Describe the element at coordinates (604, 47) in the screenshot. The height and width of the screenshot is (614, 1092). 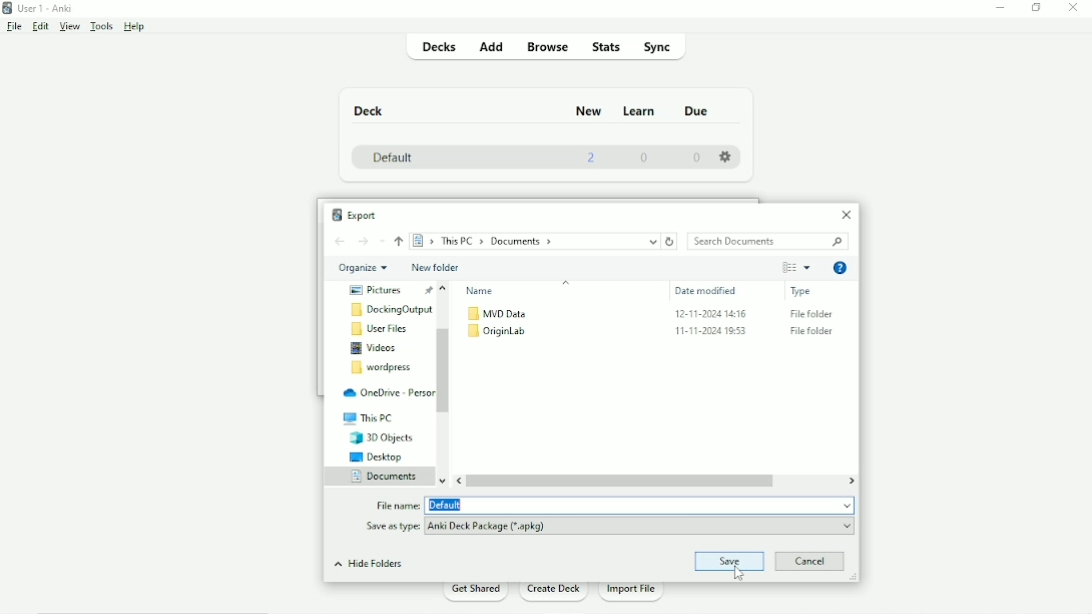
I see `Stats` at that location.